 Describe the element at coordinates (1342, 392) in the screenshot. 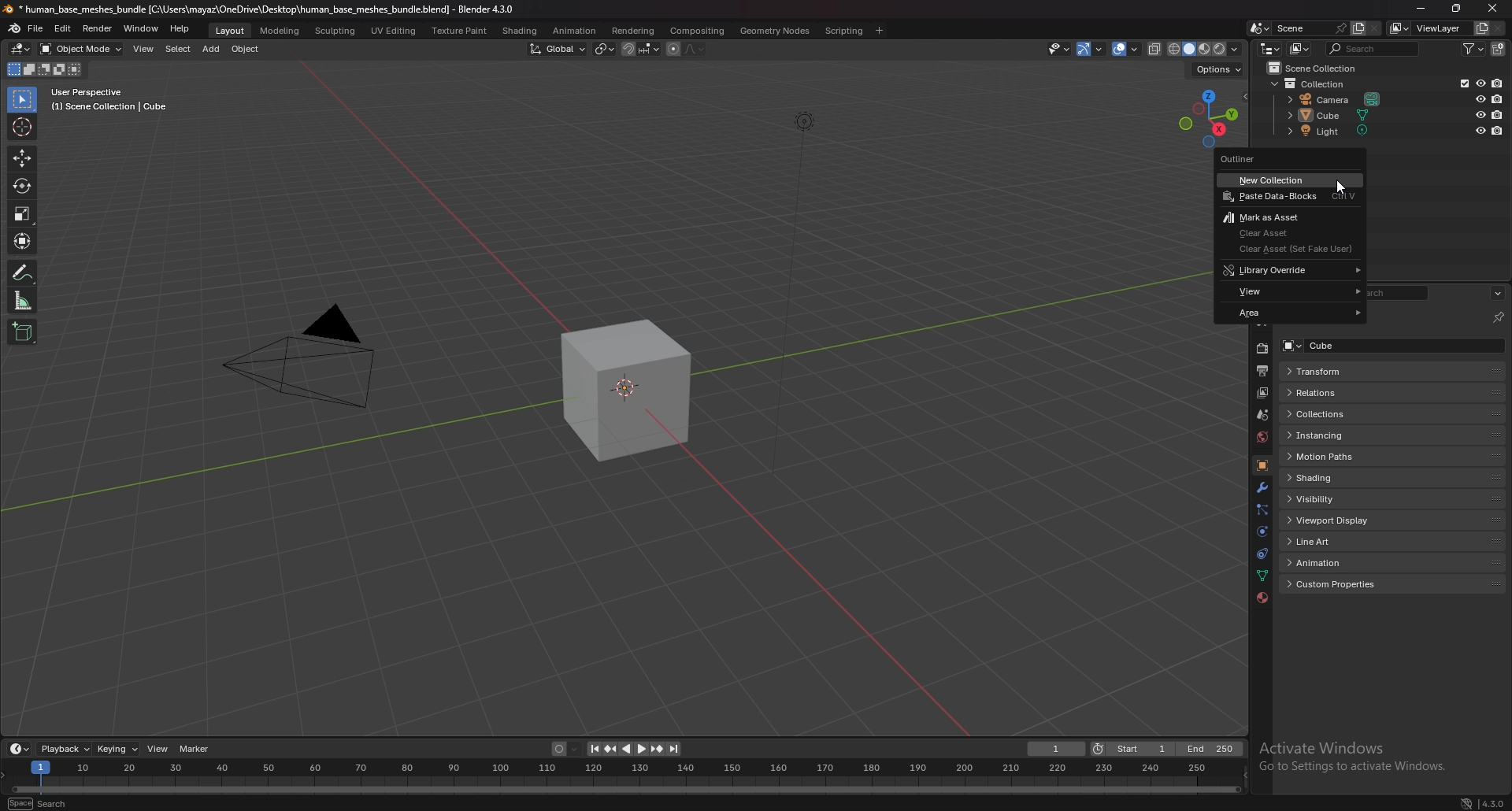

I see `relations` at that location.